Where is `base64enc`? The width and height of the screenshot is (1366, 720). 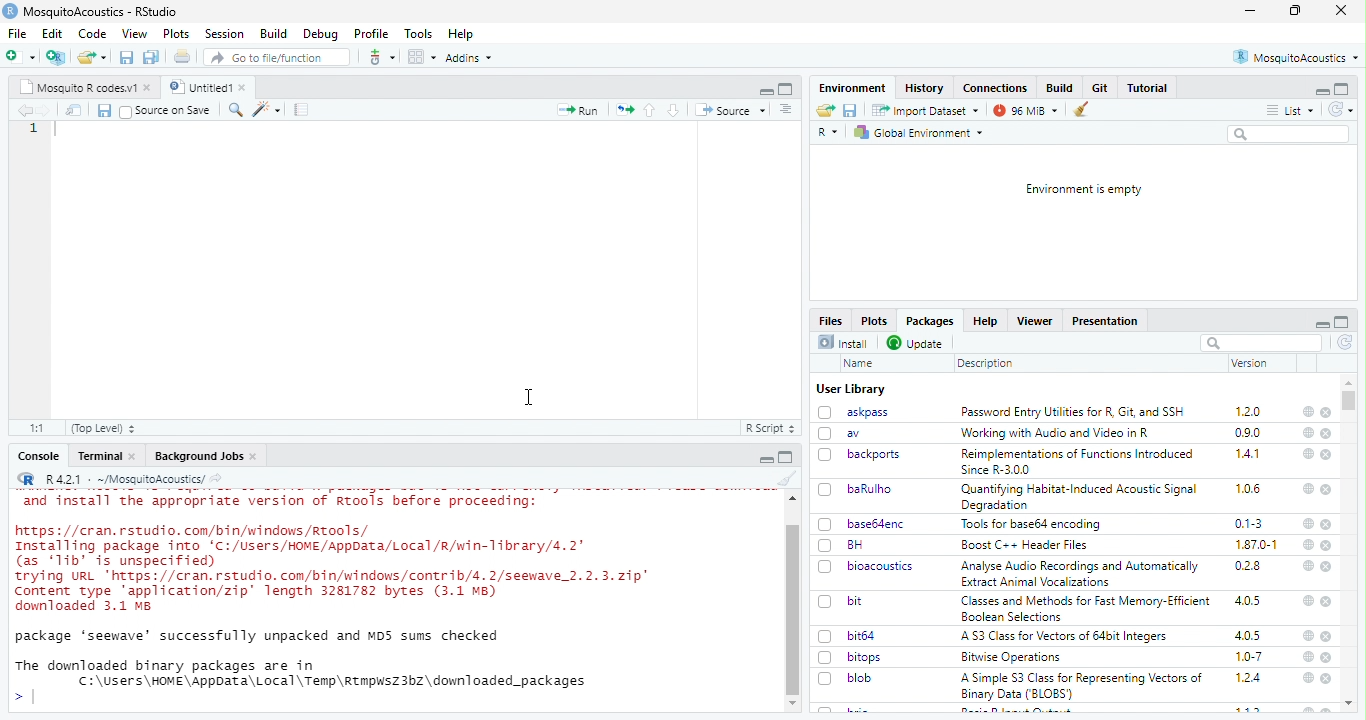 base64enc is located at coordinates (879, 524).